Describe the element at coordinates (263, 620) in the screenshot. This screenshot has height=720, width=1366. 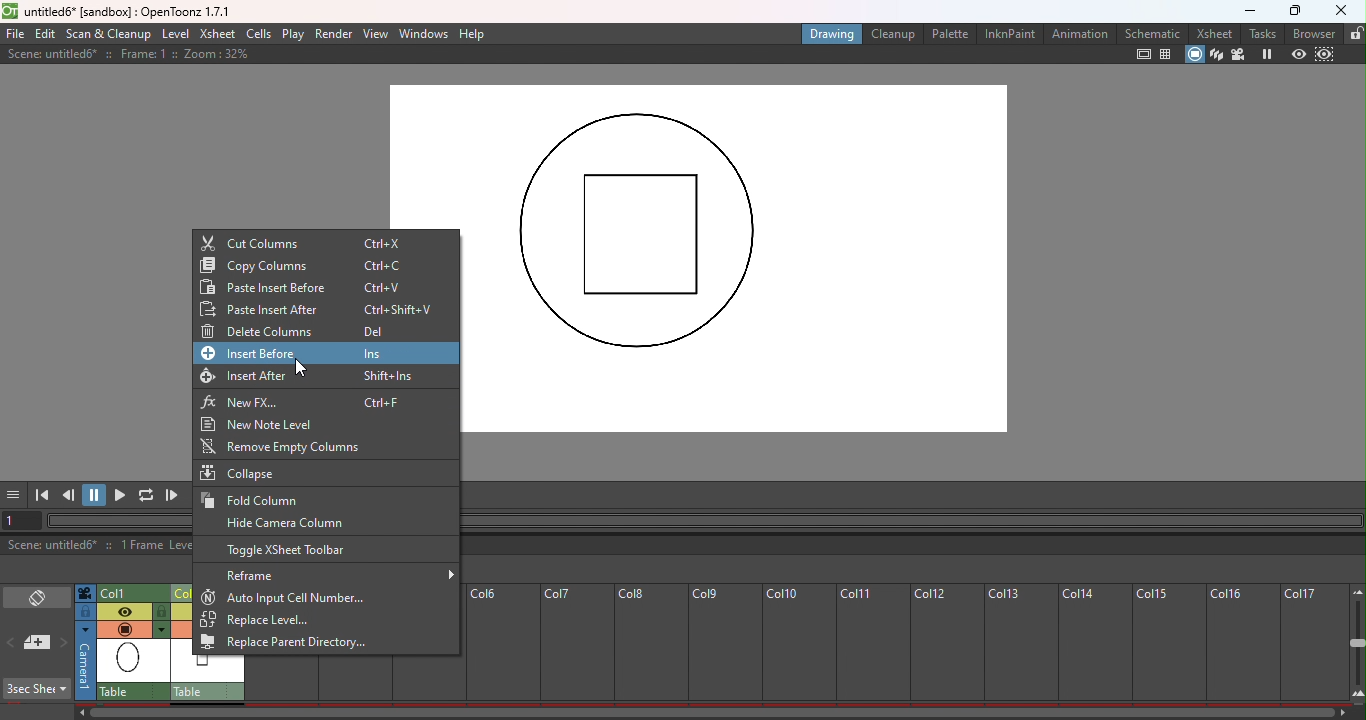
I see `Replace level` at that location.